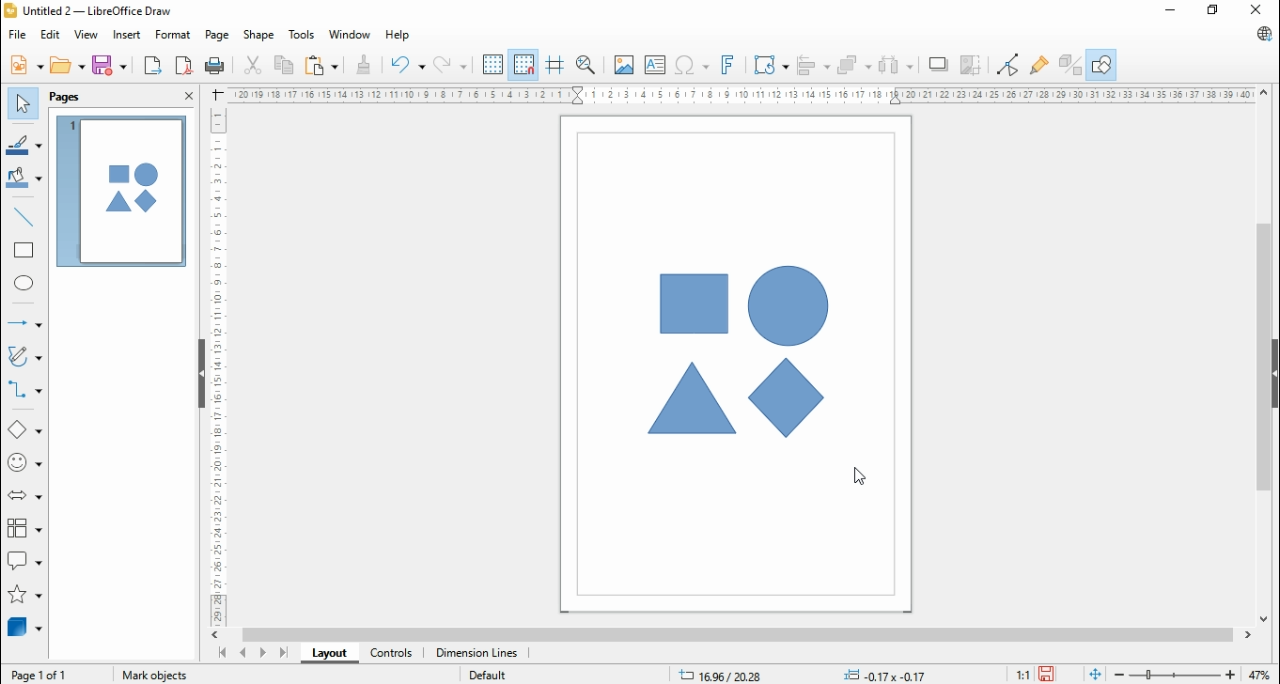  I want to click on snap to grids, so click(523, 64).